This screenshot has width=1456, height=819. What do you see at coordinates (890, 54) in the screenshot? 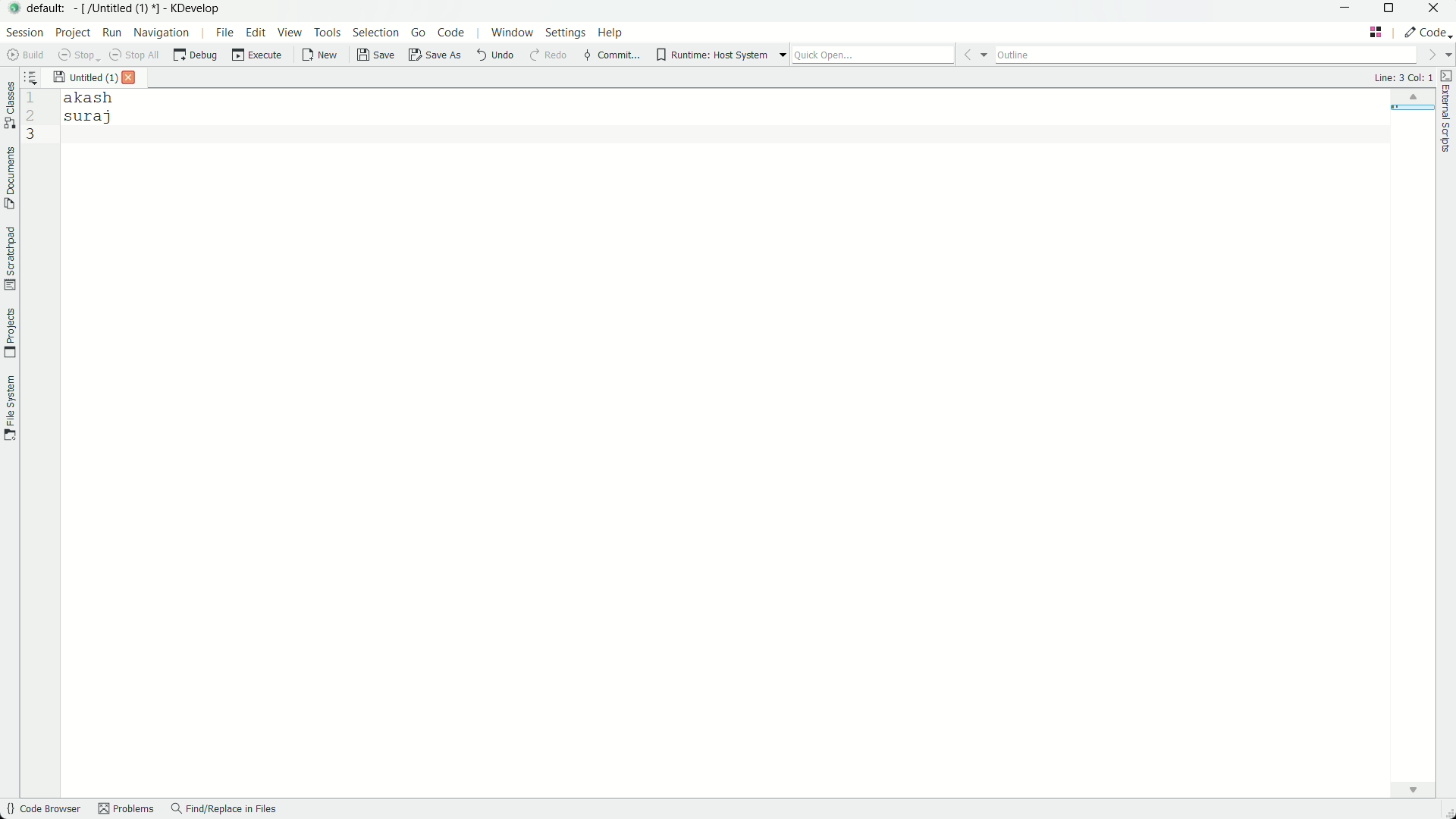
I see `quick open` at bounding box center [890, 54].